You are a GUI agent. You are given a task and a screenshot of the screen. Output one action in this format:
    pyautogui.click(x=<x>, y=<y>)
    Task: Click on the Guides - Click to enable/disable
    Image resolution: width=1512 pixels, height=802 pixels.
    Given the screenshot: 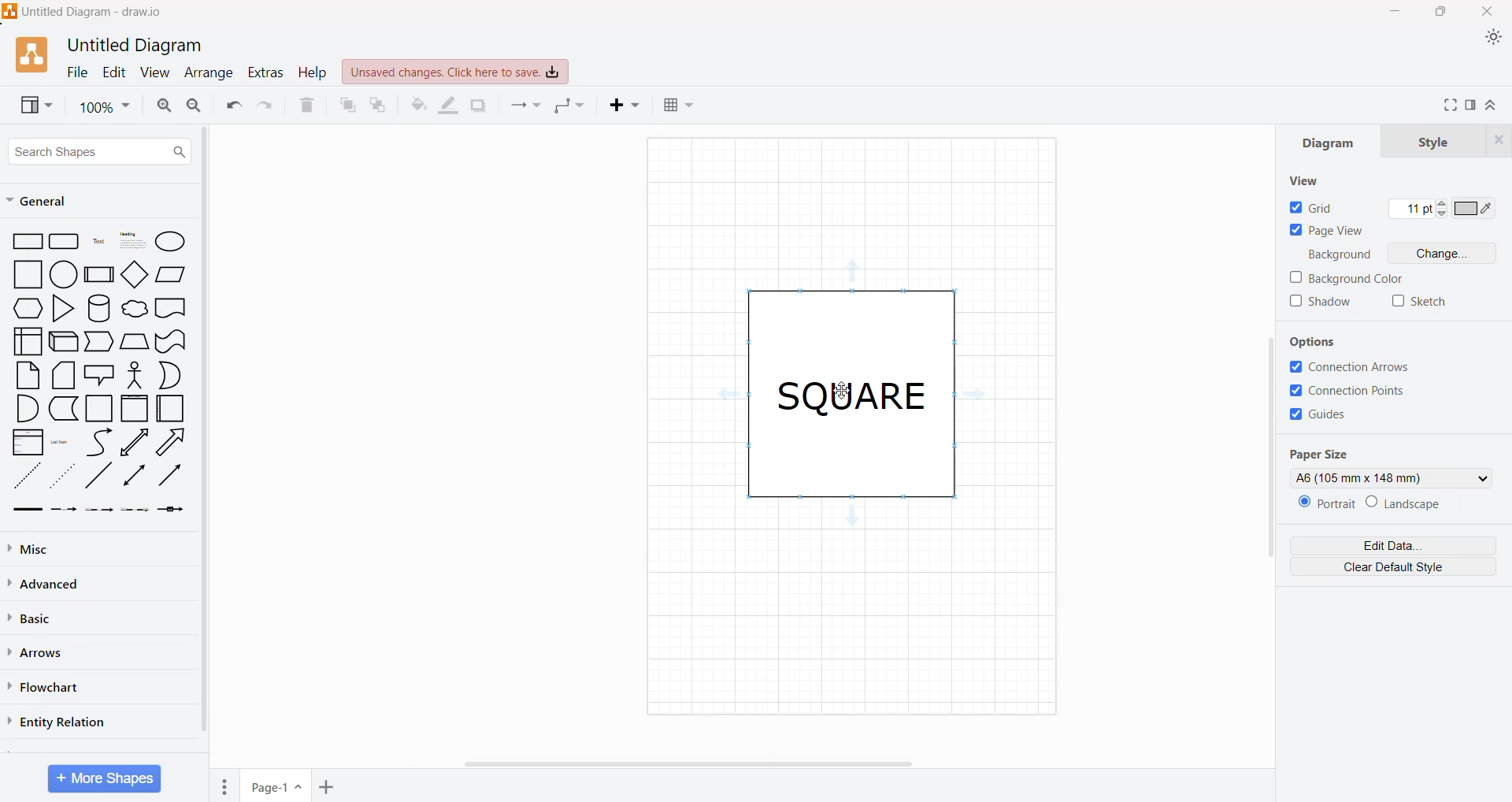 What is the action you would take?
    pyautogui.click(x=1319, y=418)
    